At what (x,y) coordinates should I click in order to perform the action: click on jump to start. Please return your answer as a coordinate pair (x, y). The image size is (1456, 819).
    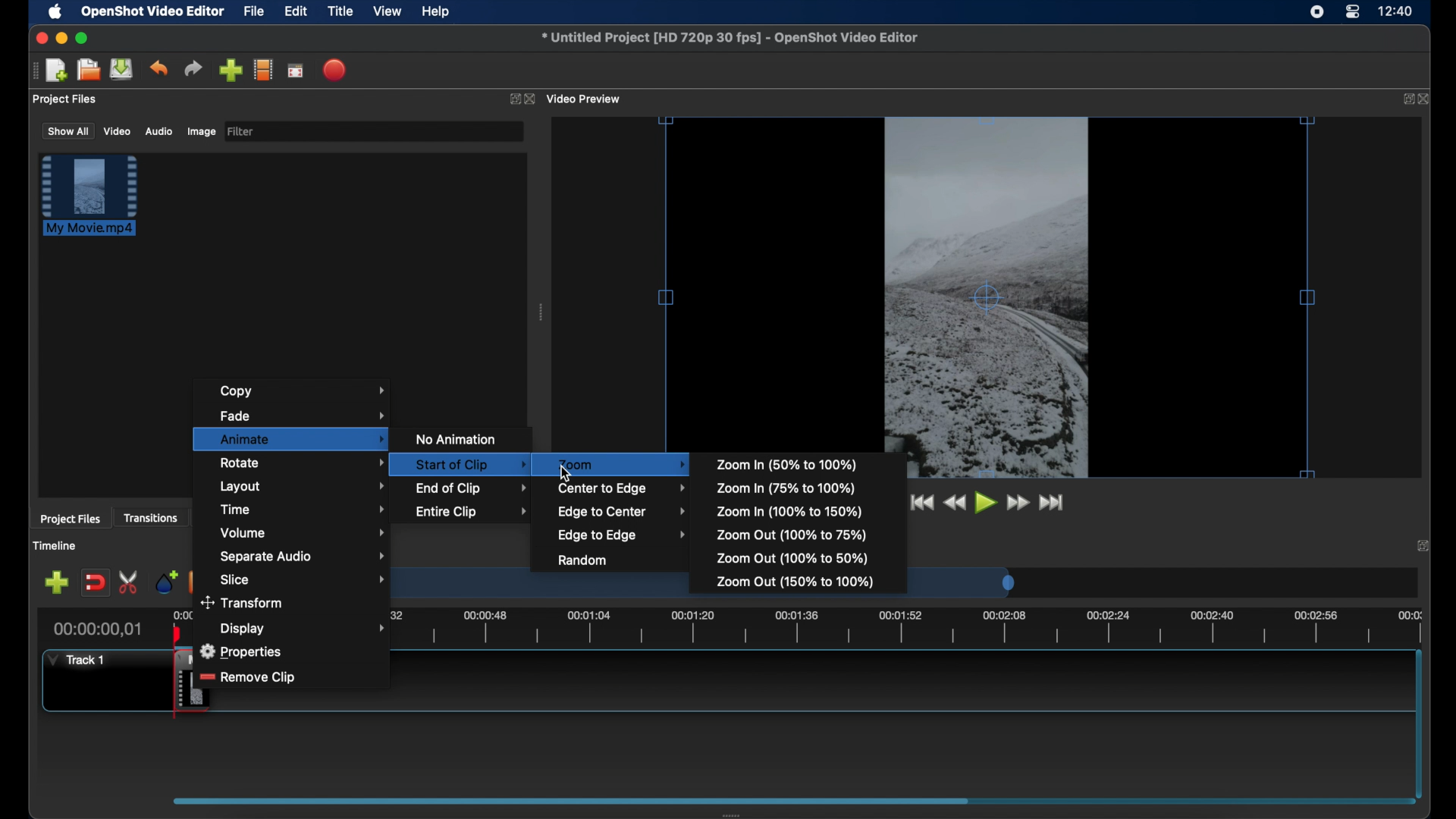
    Looking at the image, I should click on (918, 502).